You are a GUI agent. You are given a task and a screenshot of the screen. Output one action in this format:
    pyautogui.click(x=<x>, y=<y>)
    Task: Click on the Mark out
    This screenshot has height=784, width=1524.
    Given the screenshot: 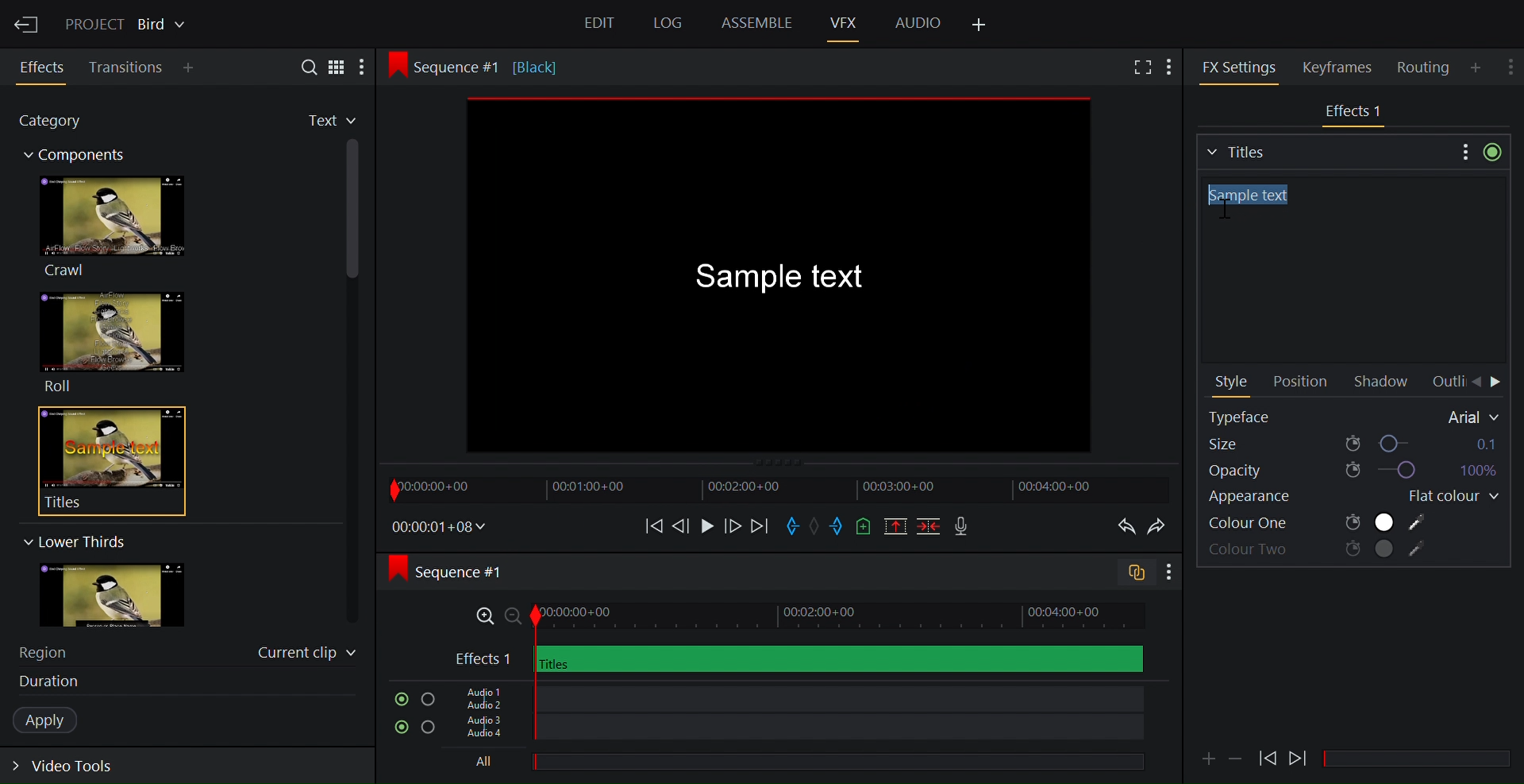 What is the action you would take?
    pyautogui.click(x=837, y=527)
    